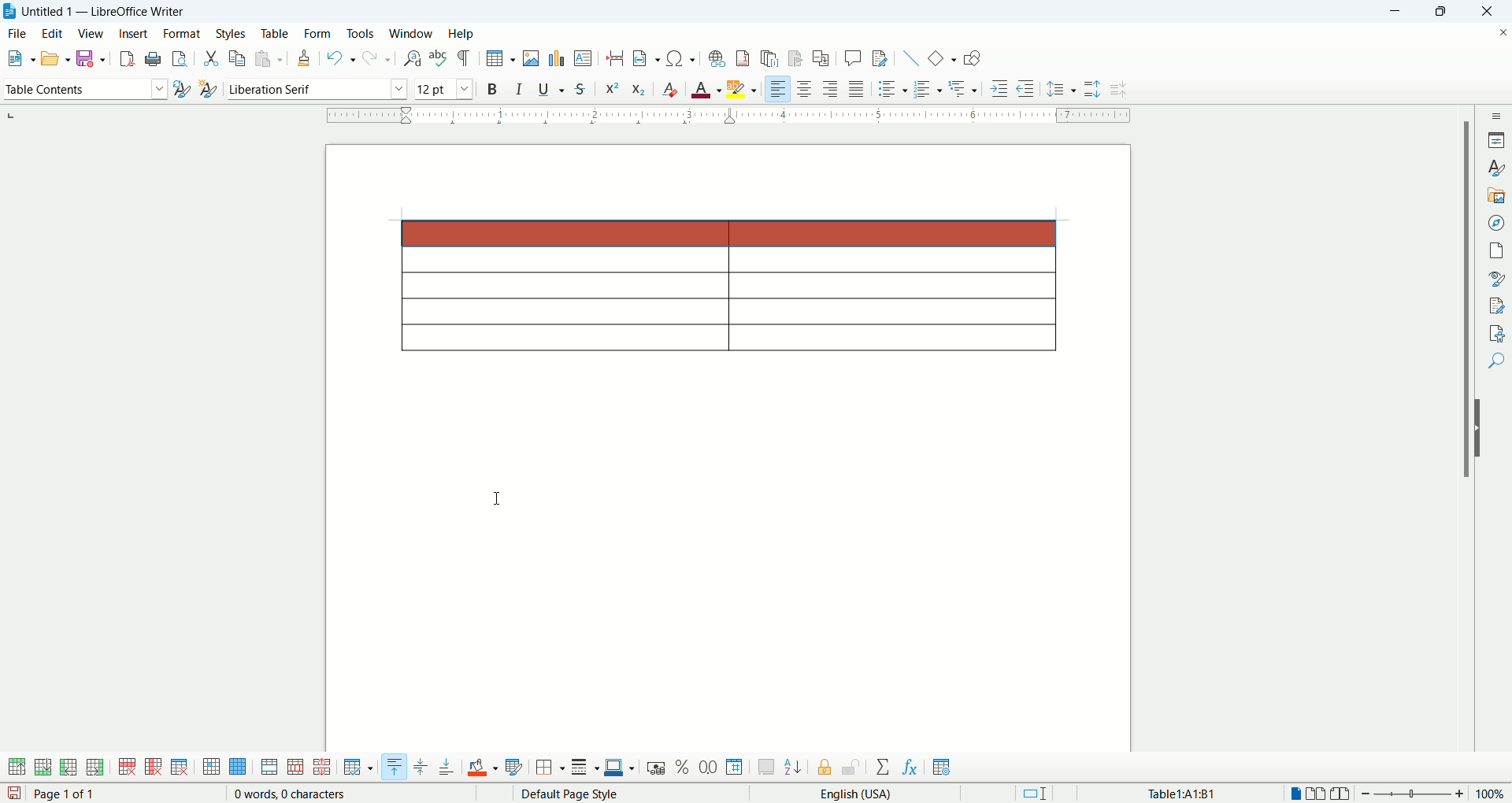 The height and width of the screenshot is (803, 1512). Describe the element at coordinates (736, 766) in the screenshot. I see `number format` at that location.